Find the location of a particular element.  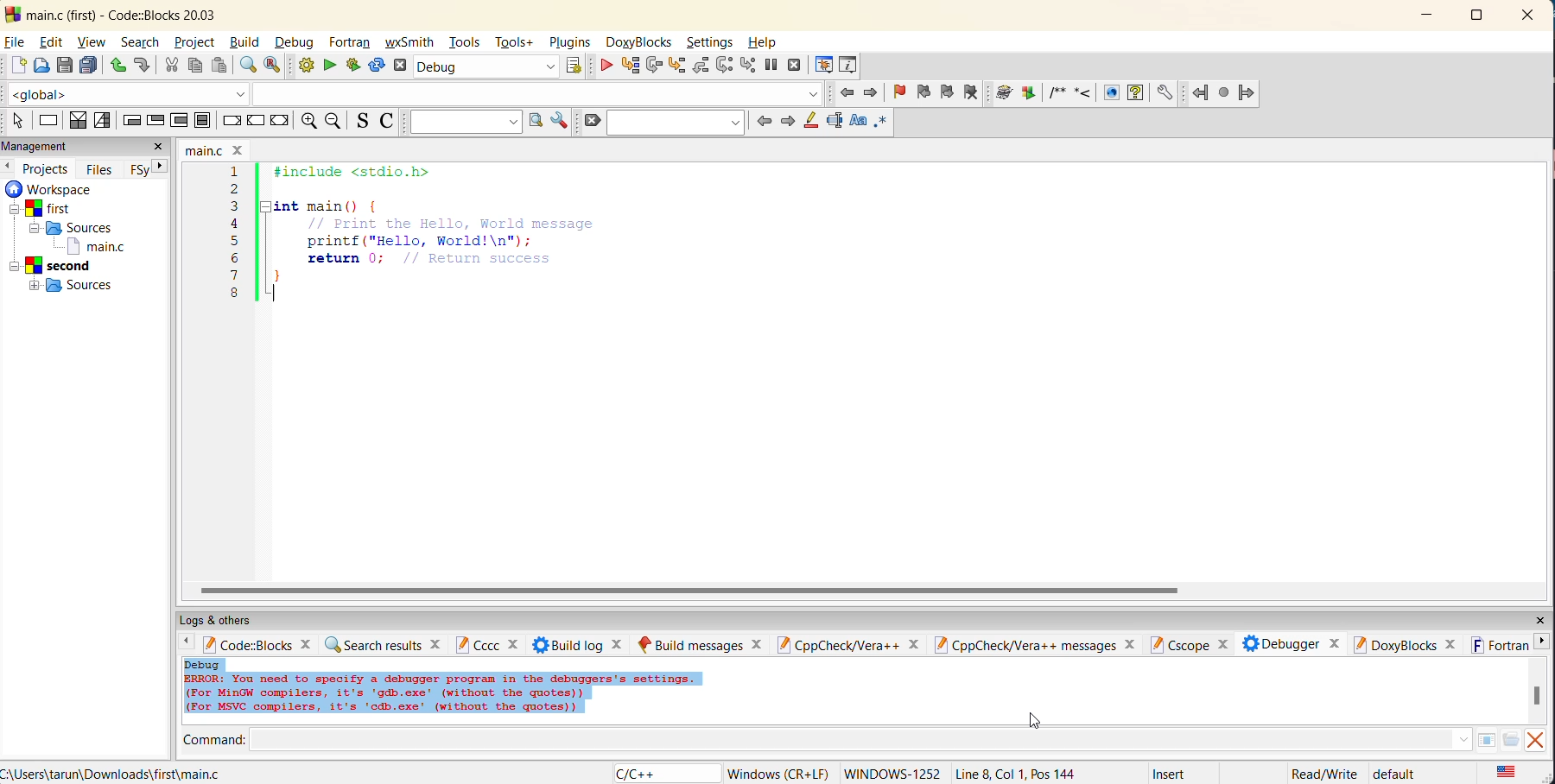

undo is located at coordinates (119, 66).